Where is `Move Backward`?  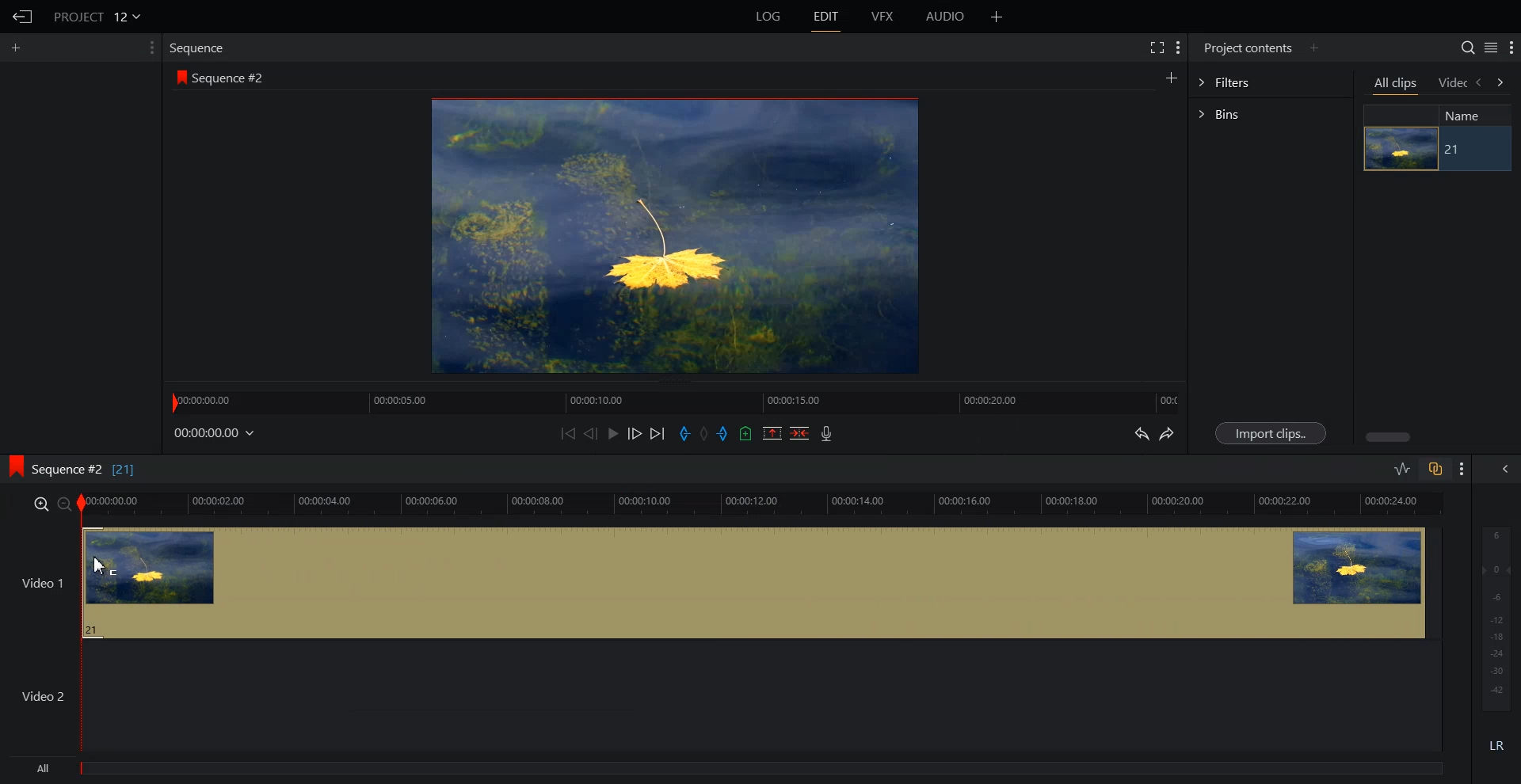 Move Backward is located at coordinates (570, 432).